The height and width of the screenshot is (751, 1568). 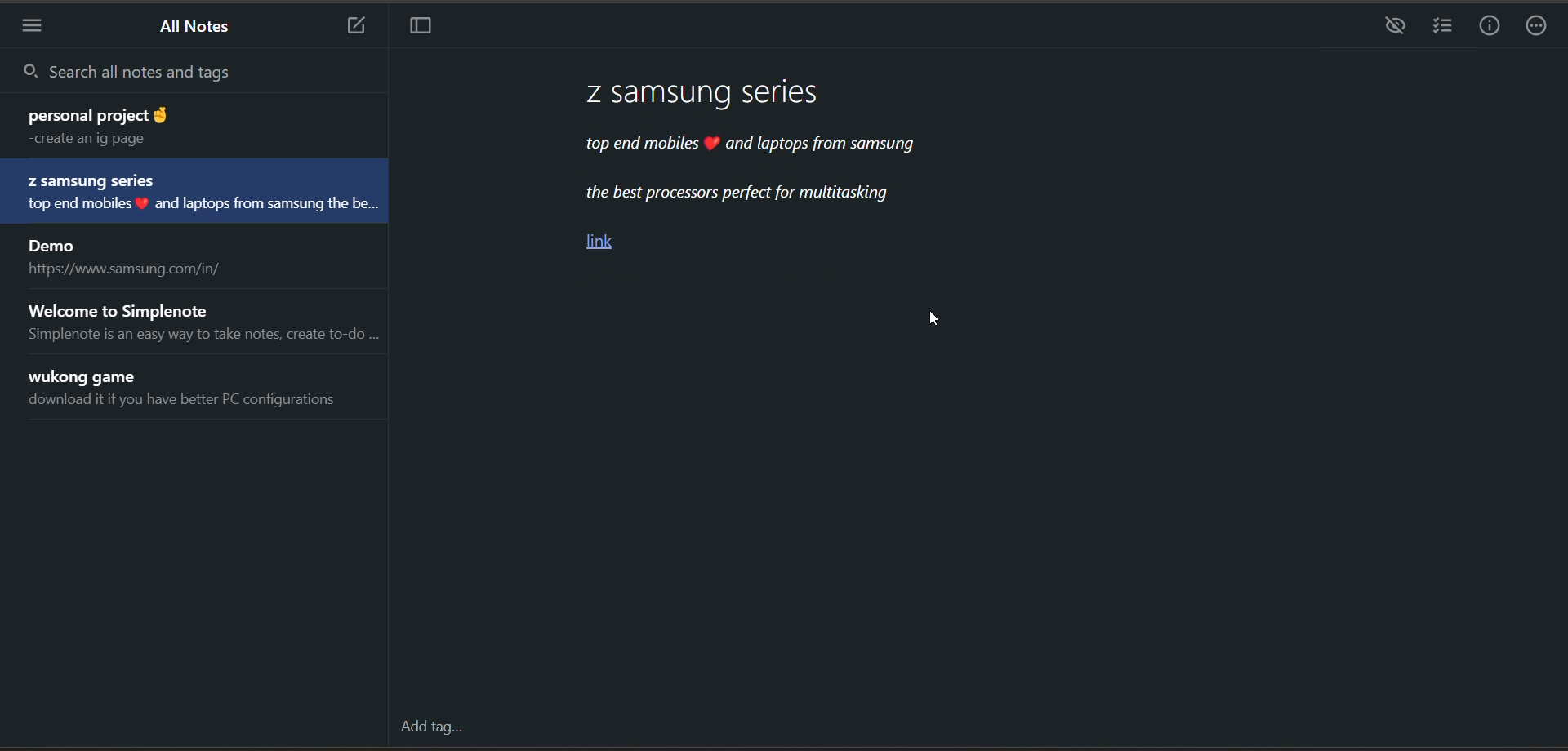 I want to click on note title and preview, so click(x=199, y=193).